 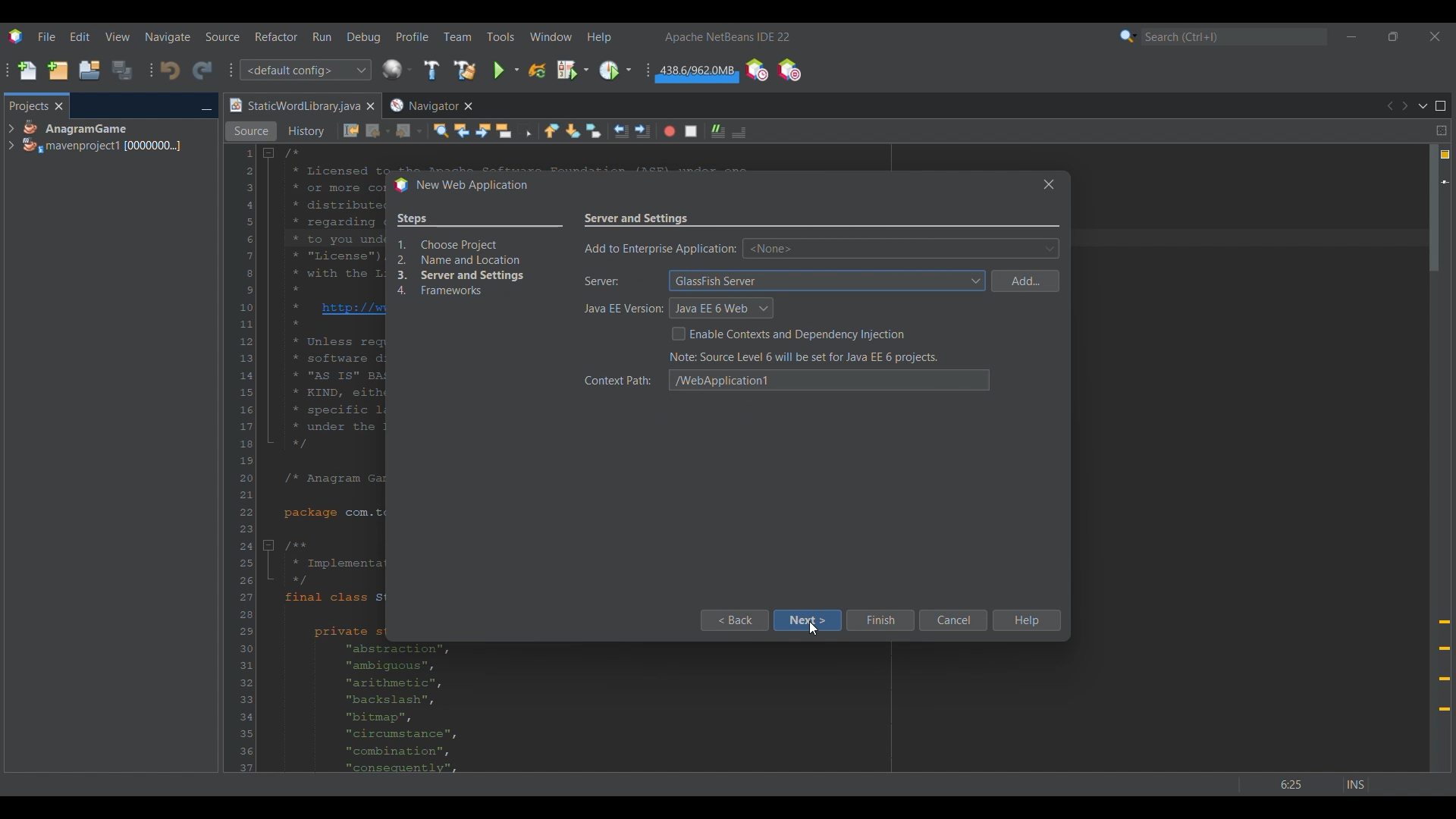 I want to click on Finish, so click(x=880, y=620).